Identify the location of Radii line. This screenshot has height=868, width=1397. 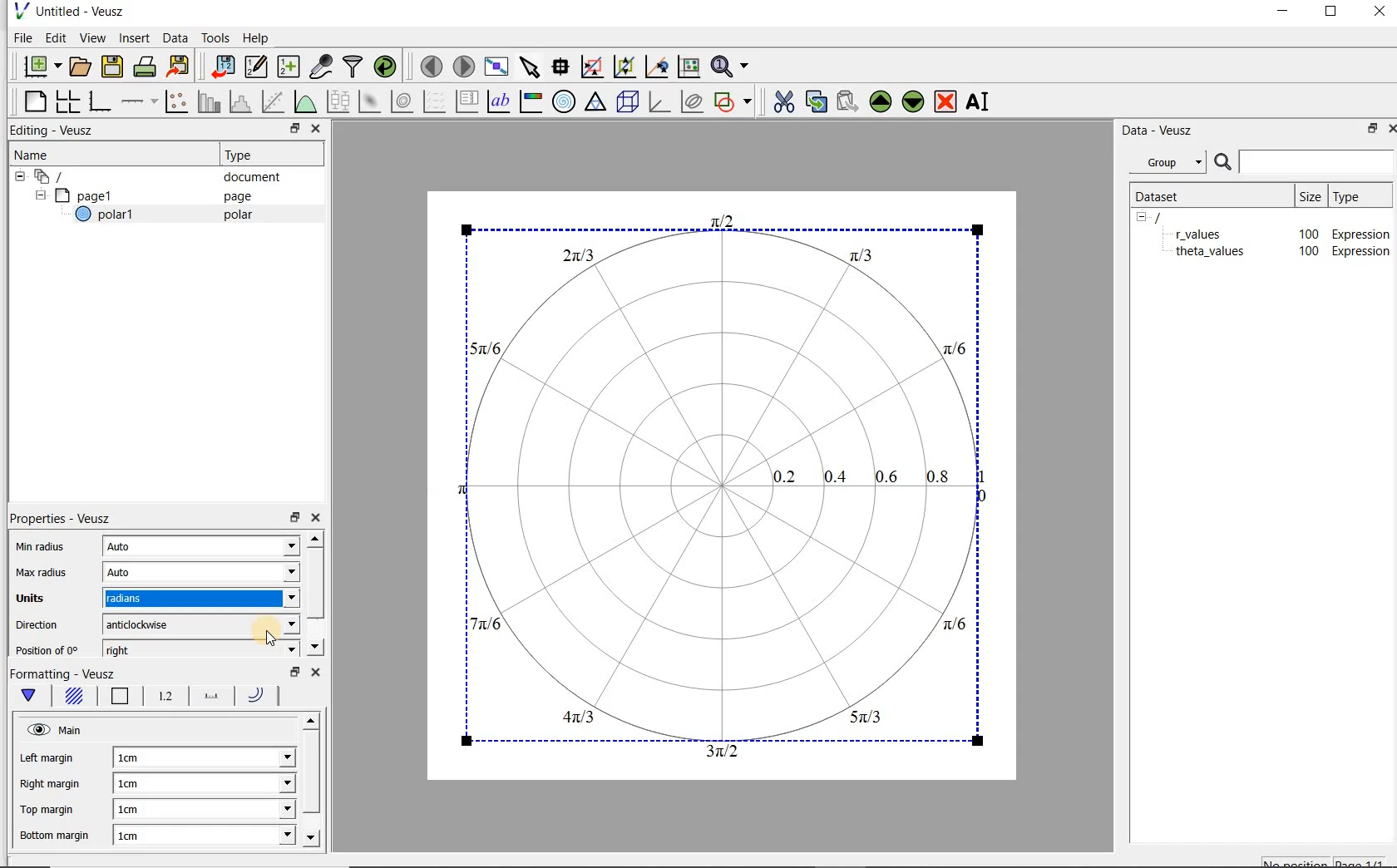
(261, 696).